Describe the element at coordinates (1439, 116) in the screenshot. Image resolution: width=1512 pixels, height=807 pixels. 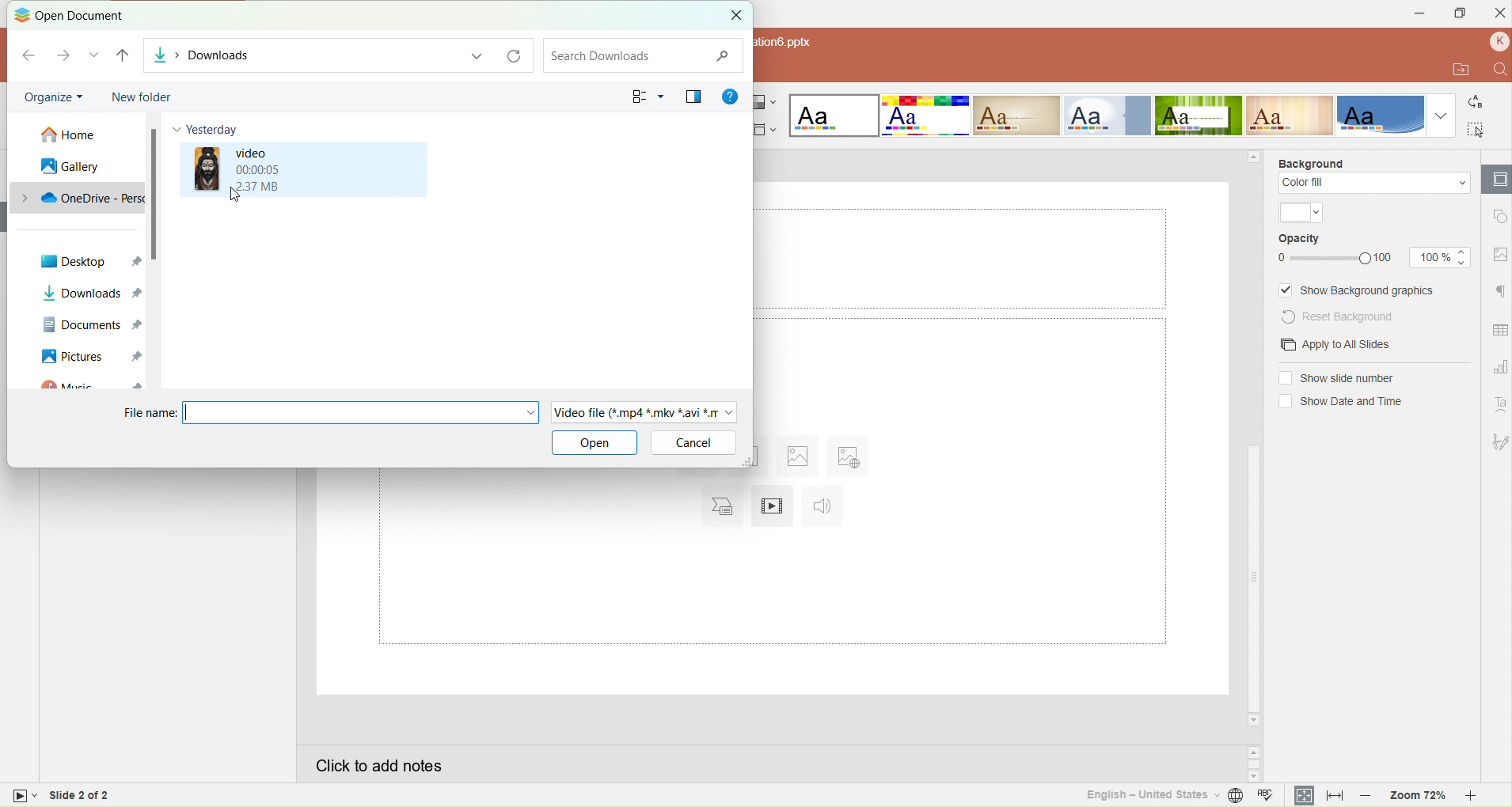
I see `Dropdown` at that location.